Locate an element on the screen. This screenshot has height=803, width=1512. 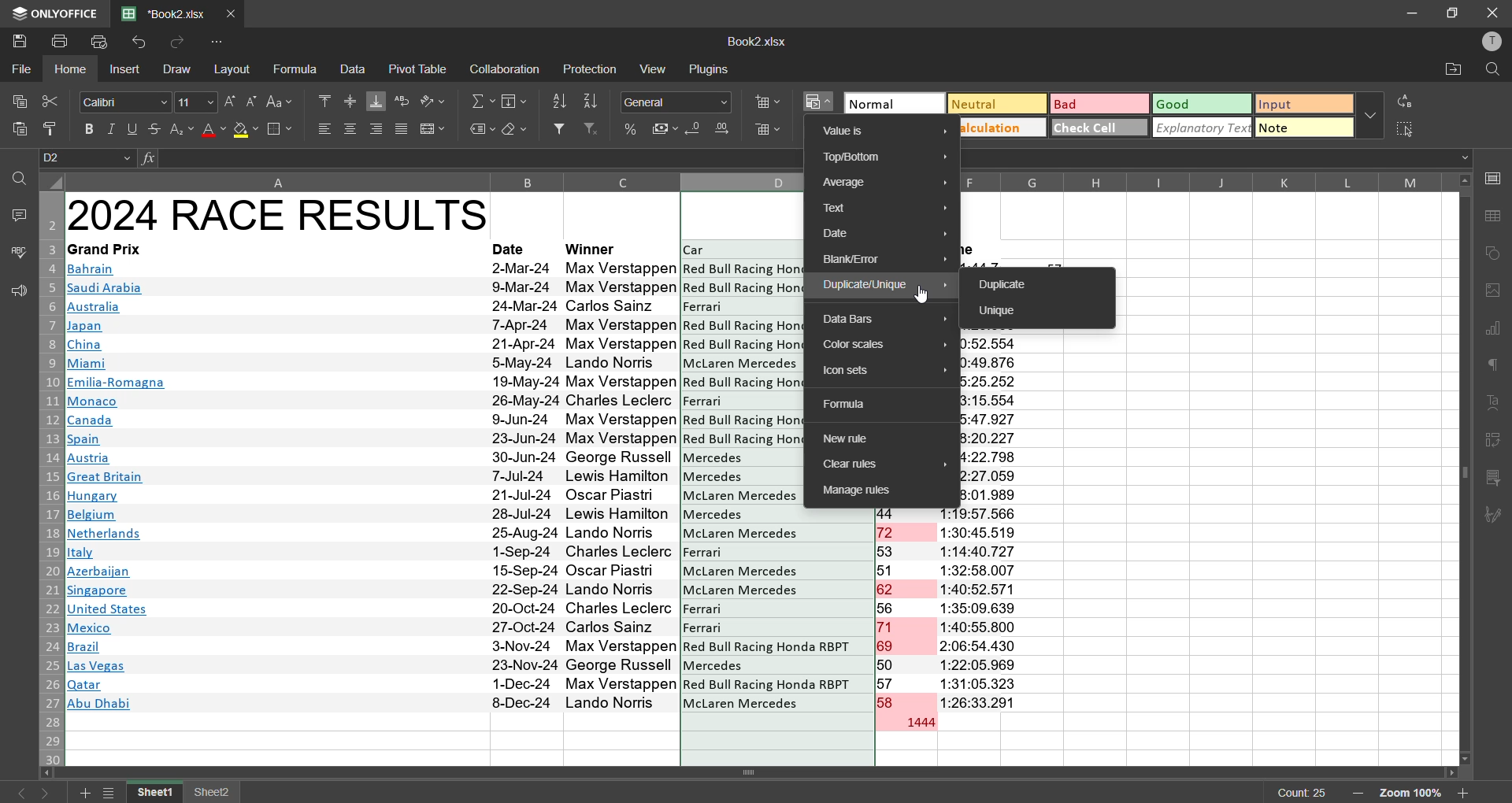
zoom factor is located at coordinates (1412, 794).